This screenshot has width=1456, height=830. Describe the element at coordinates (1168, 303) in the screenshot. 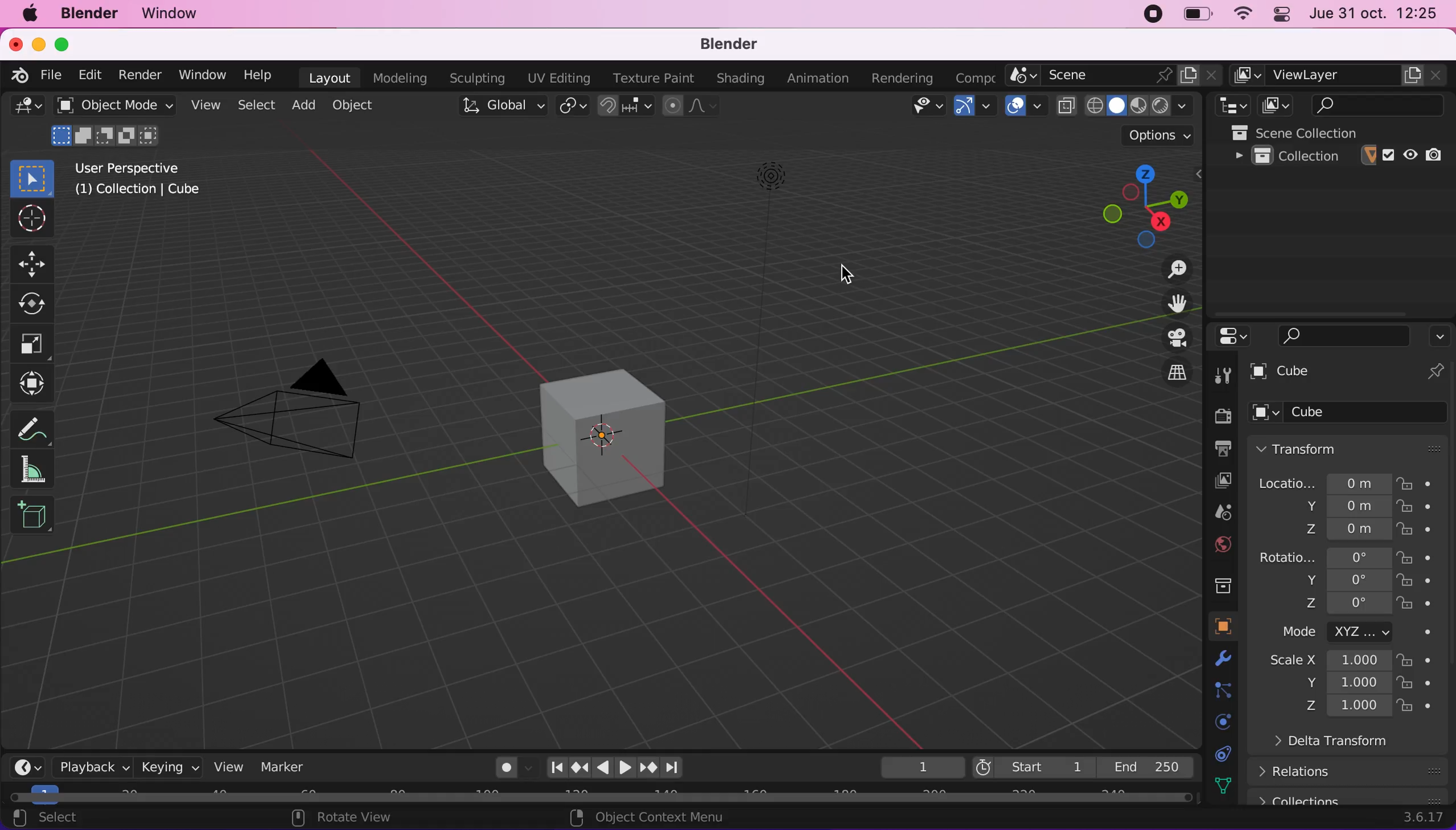

I see `move the view` at that location.